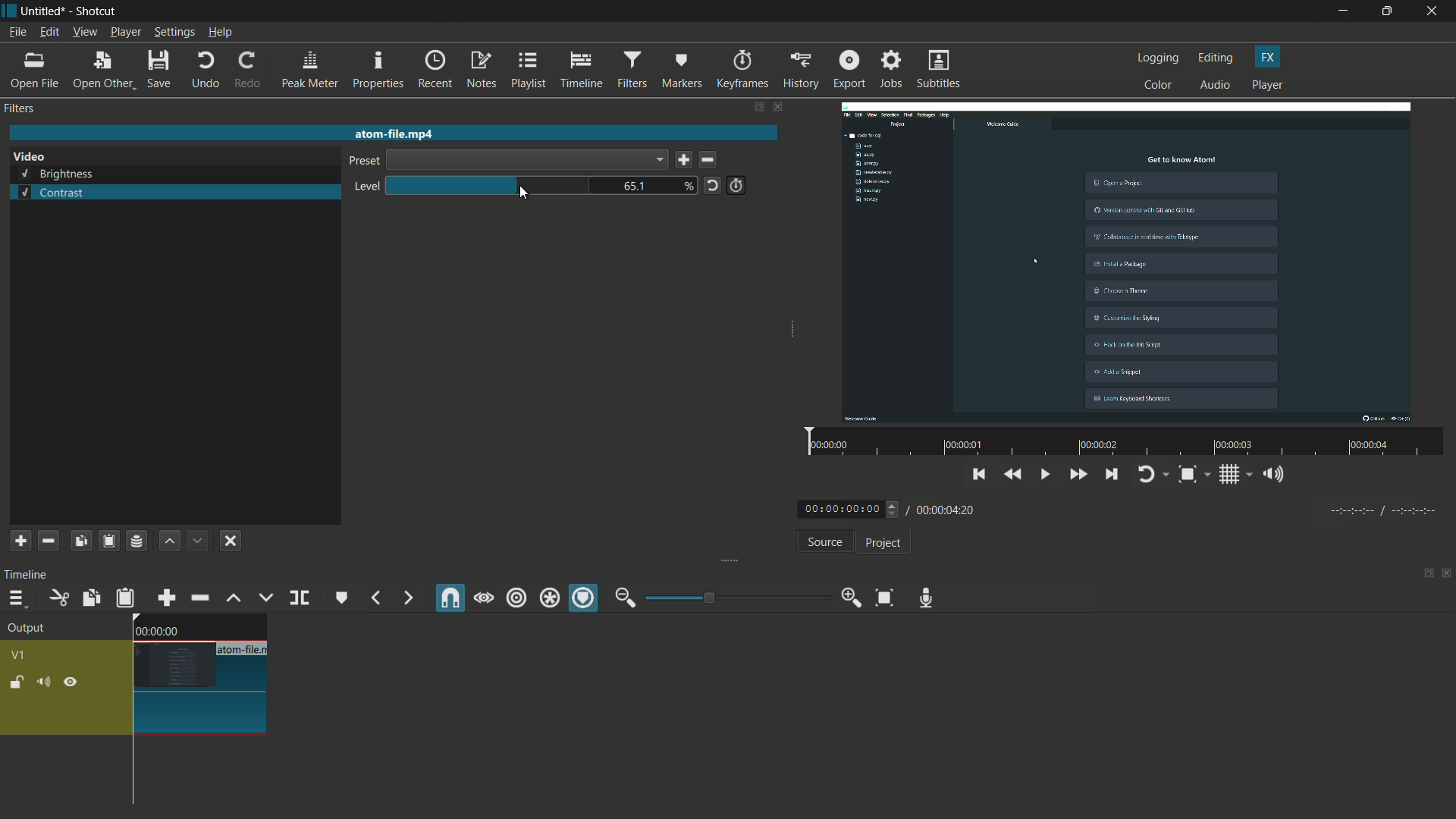 The image size is (1456, 819). I want to click on brightness bar, so click(490, 185).